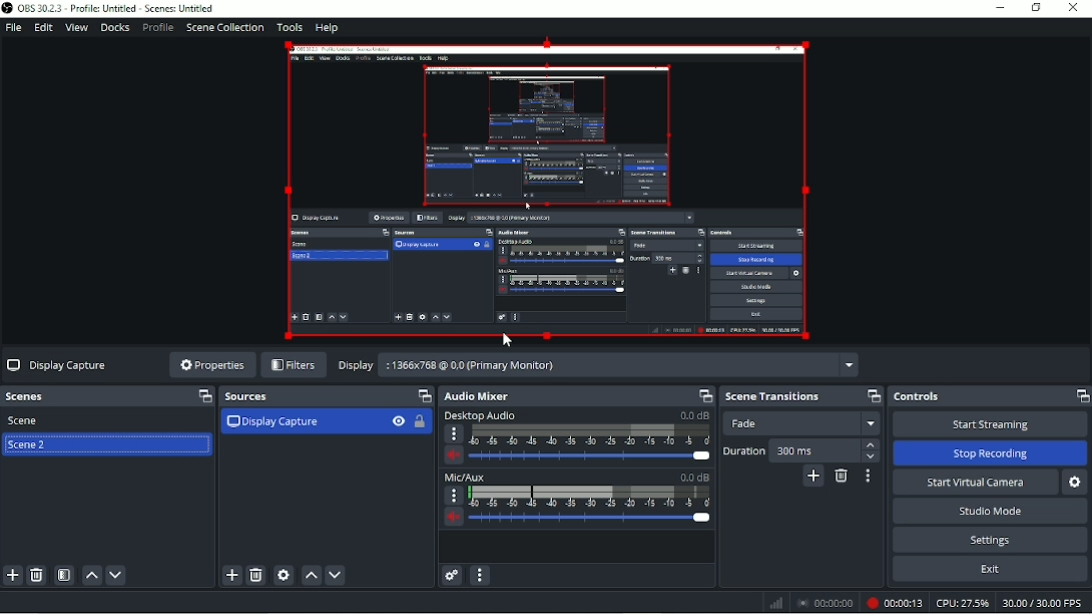  I want to click on Maximize, so click(874, 394).